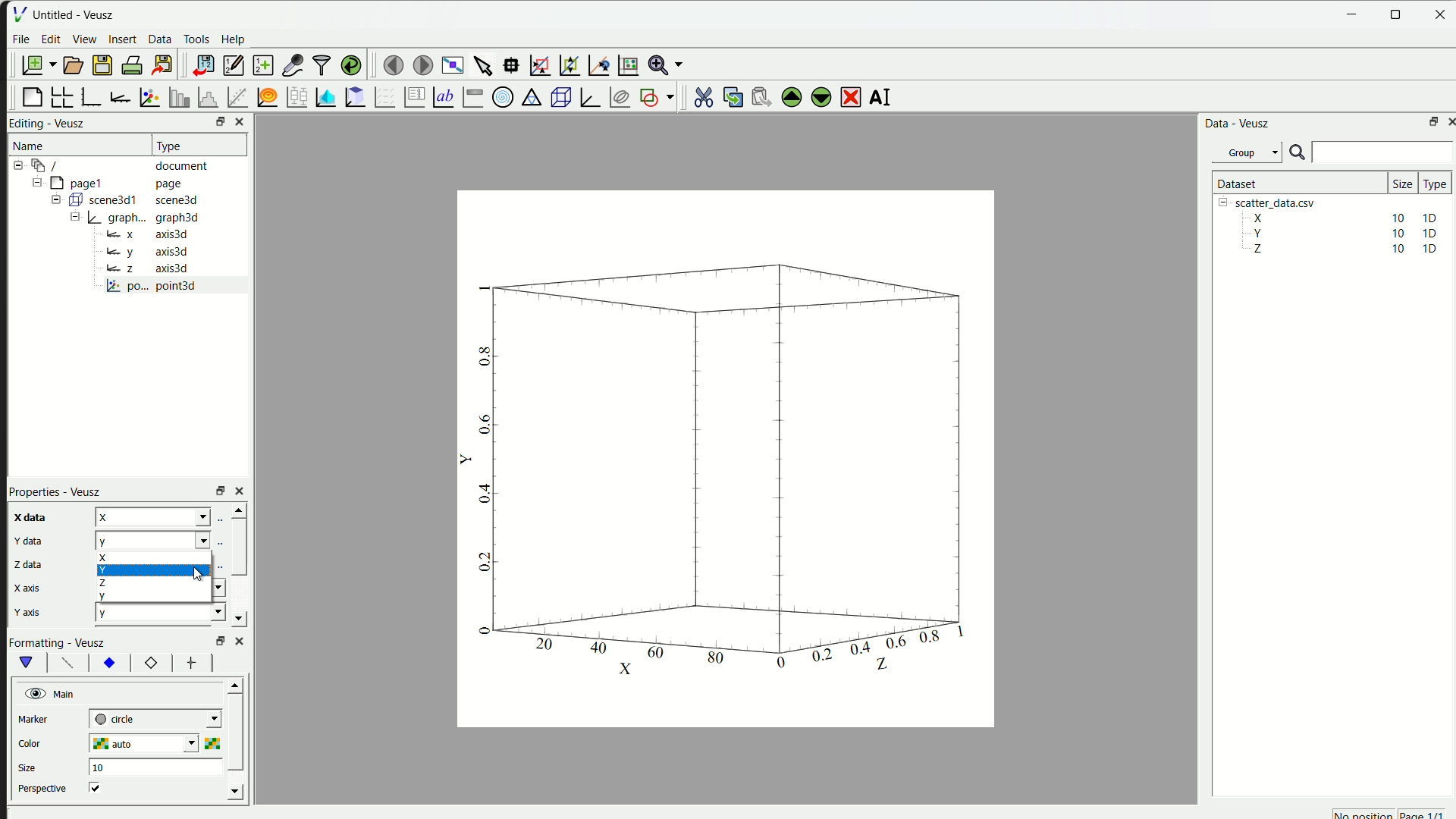 The width and height of the screenshot is (1456, 819). Describe the element at coordinates (71, 122) in the screenshot. I see `Veusz` at that location.